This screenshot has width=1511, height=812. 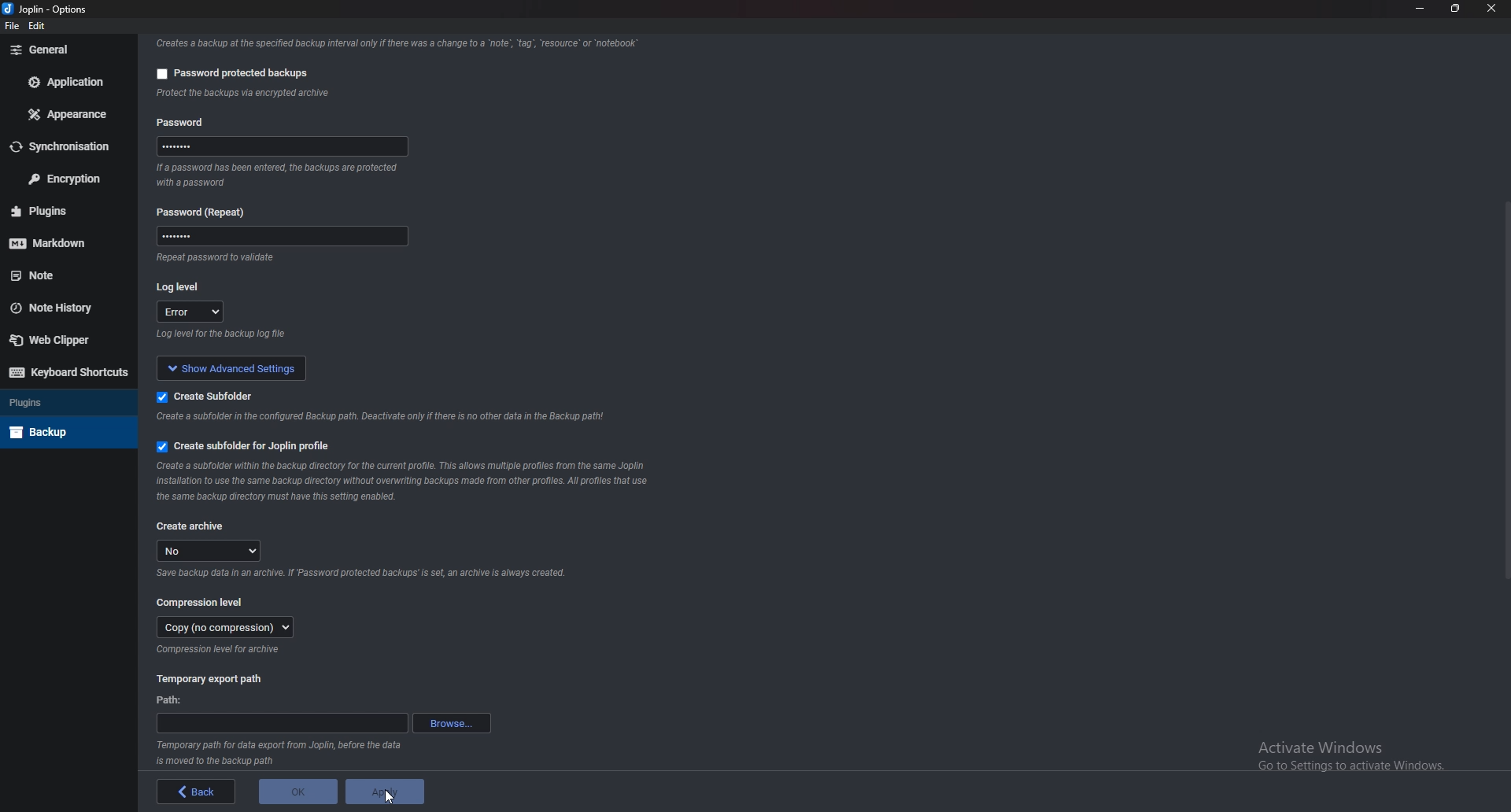 I want to click on back, so click(x=196, y=792).